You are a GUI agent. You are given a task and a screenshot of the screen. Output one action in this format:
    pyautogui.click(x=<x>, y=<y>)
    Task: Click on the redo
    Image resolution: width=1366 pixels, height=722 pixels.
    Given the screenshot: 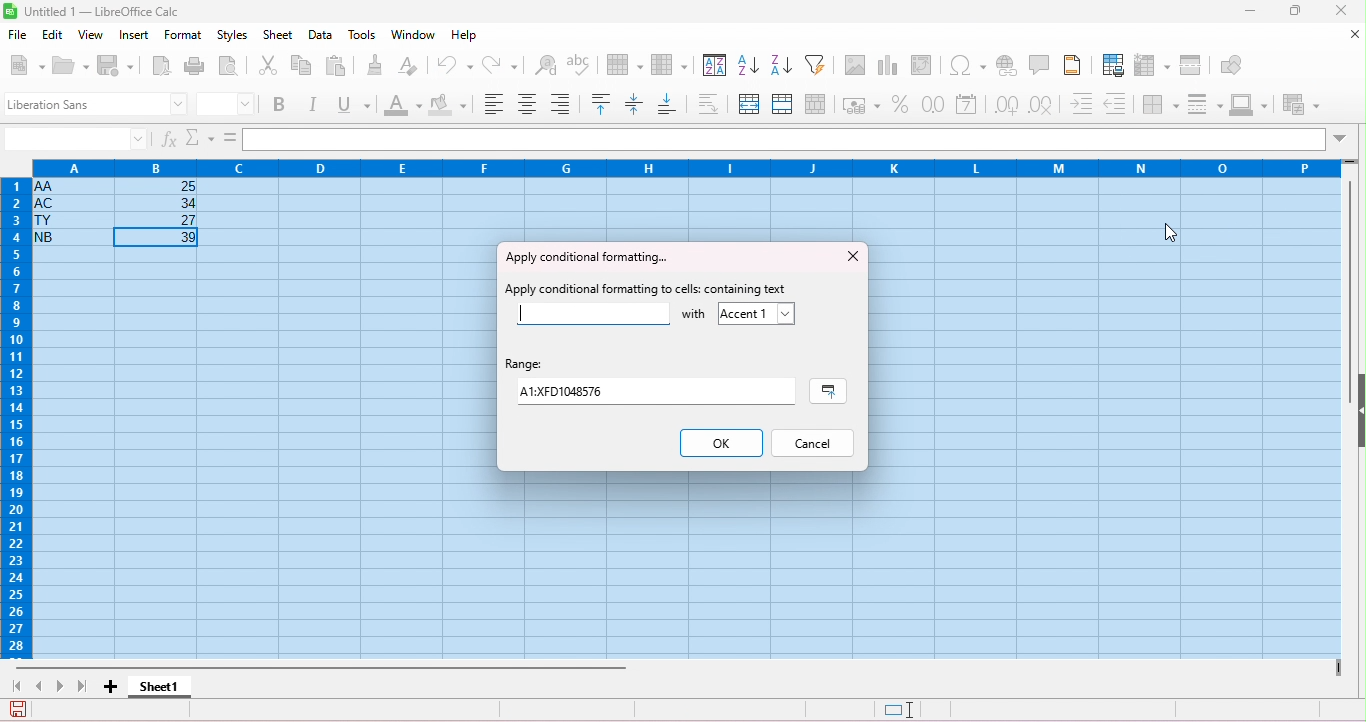 What is the action you would take?
    pyautogui.click(x=503, y=64)
    